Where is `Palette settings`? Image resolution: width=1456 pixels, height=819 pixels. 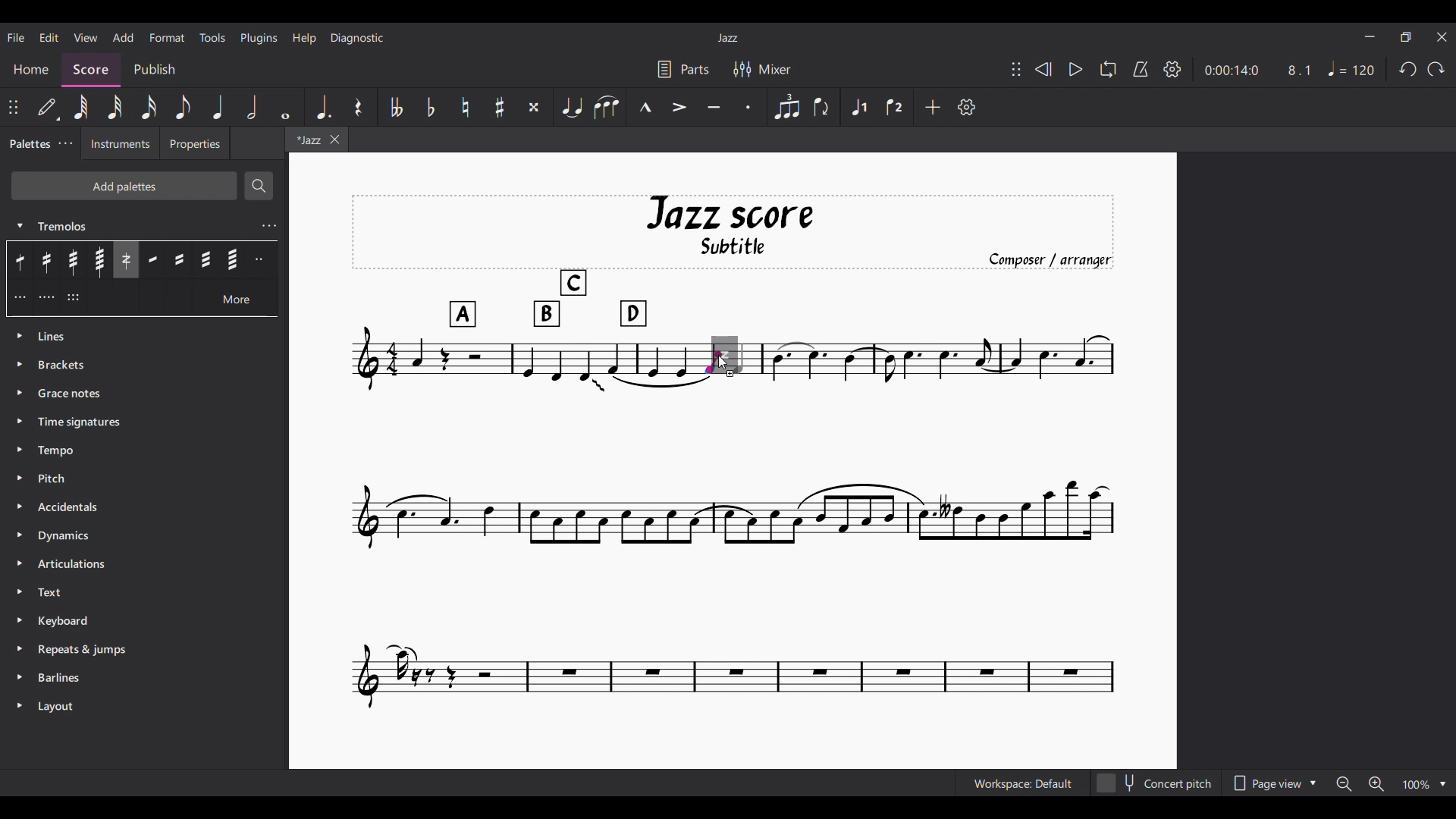
Palette settings is located at coordinates (66, 143).